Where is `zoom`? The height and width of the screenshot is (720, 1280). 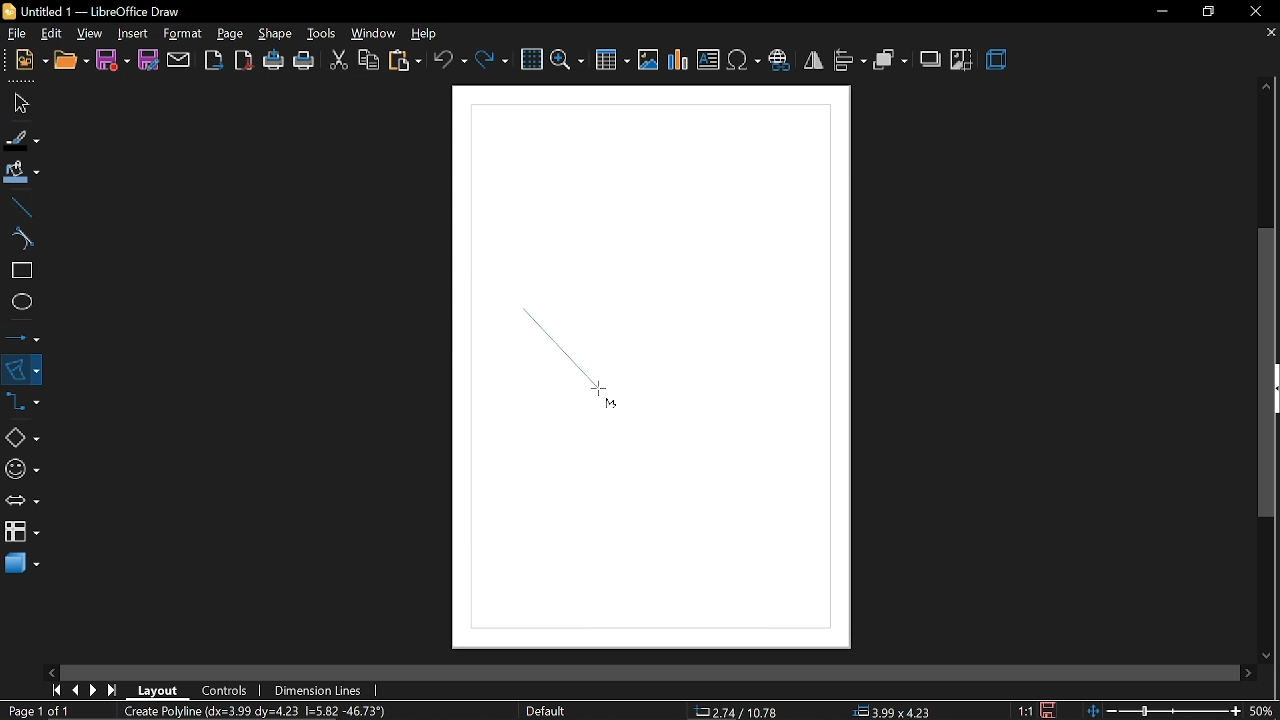 zoom is located at coordinates (569, 58).